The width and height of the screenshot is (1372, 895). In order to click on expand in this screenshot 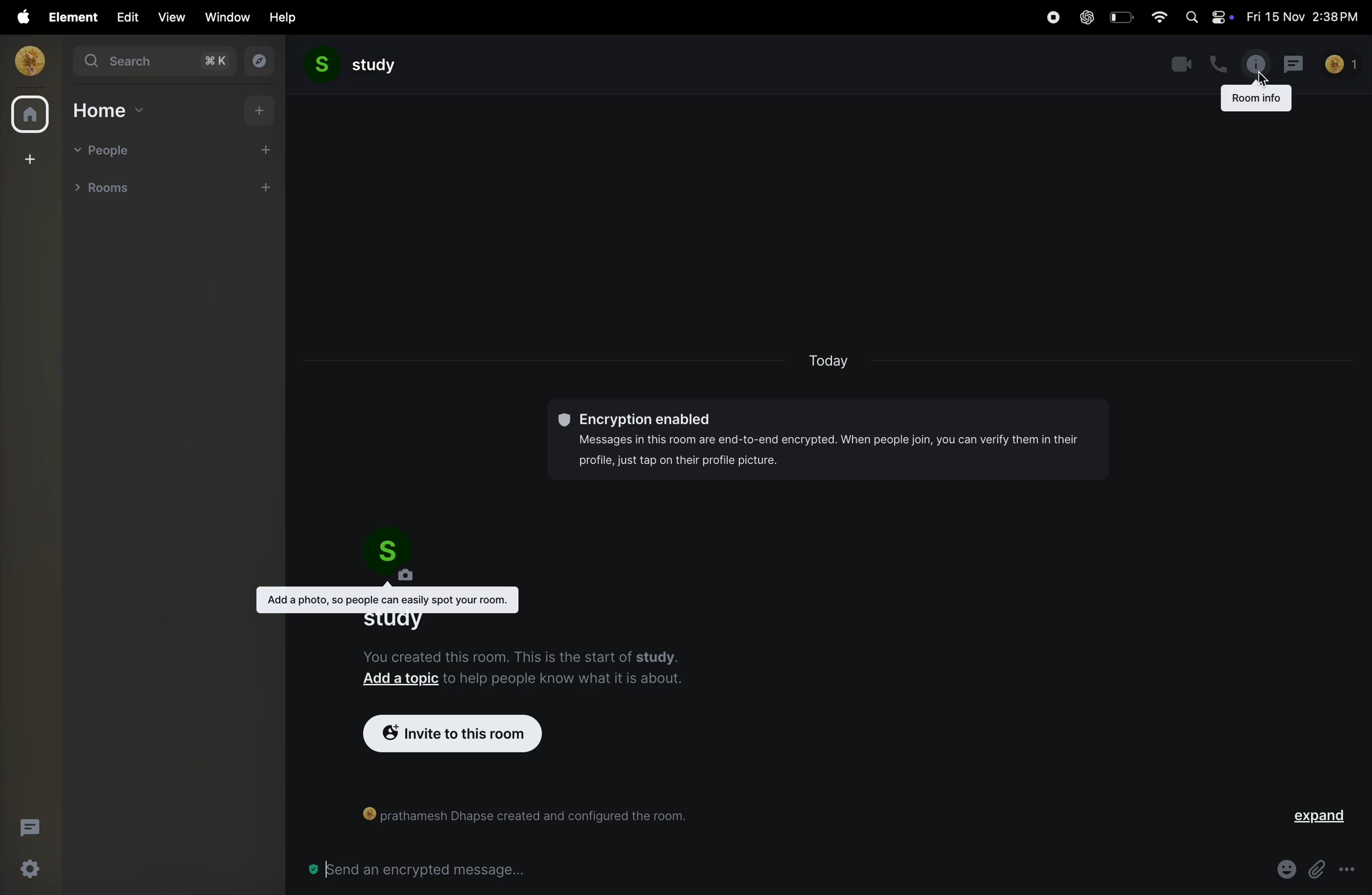, I will do `click(1322, 816)`.